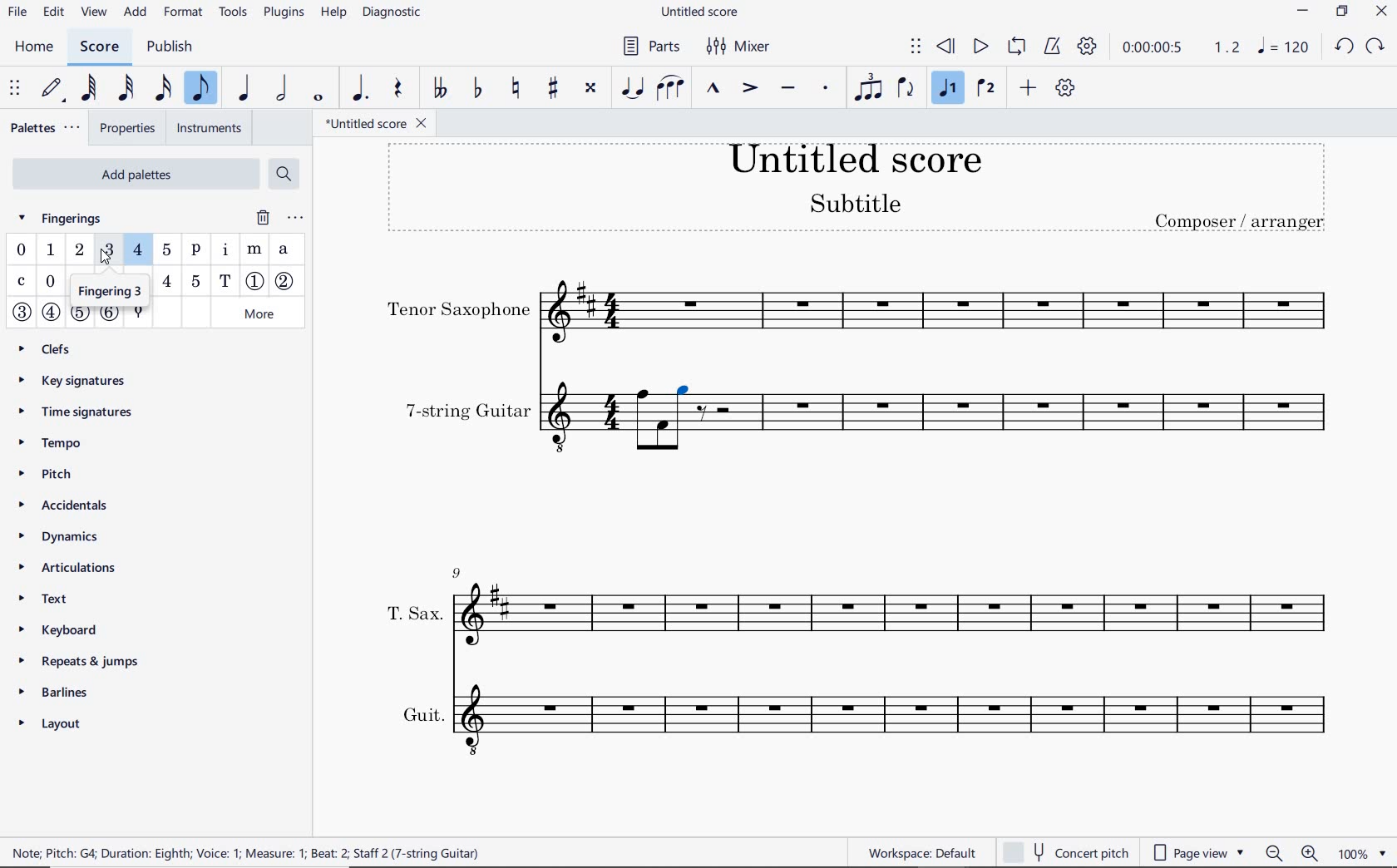  What do you see at coordinates (131, 127) in the screenshot?
I see `PROPERTIES` at bounding box center [131, 127].